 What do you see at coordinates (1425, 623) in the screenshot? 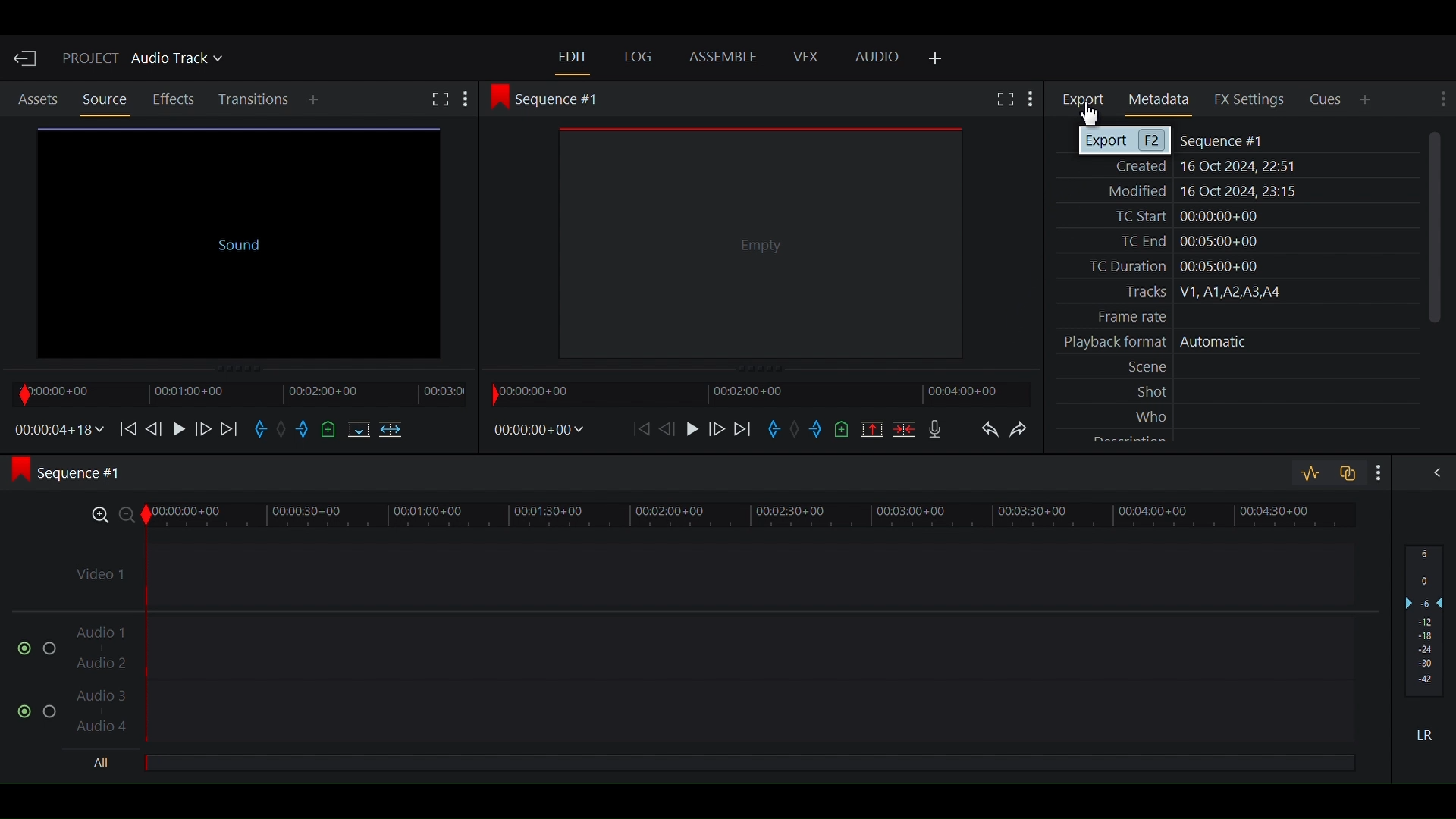
I see `Audio output levels dB` at bounding box center [1425, 623].